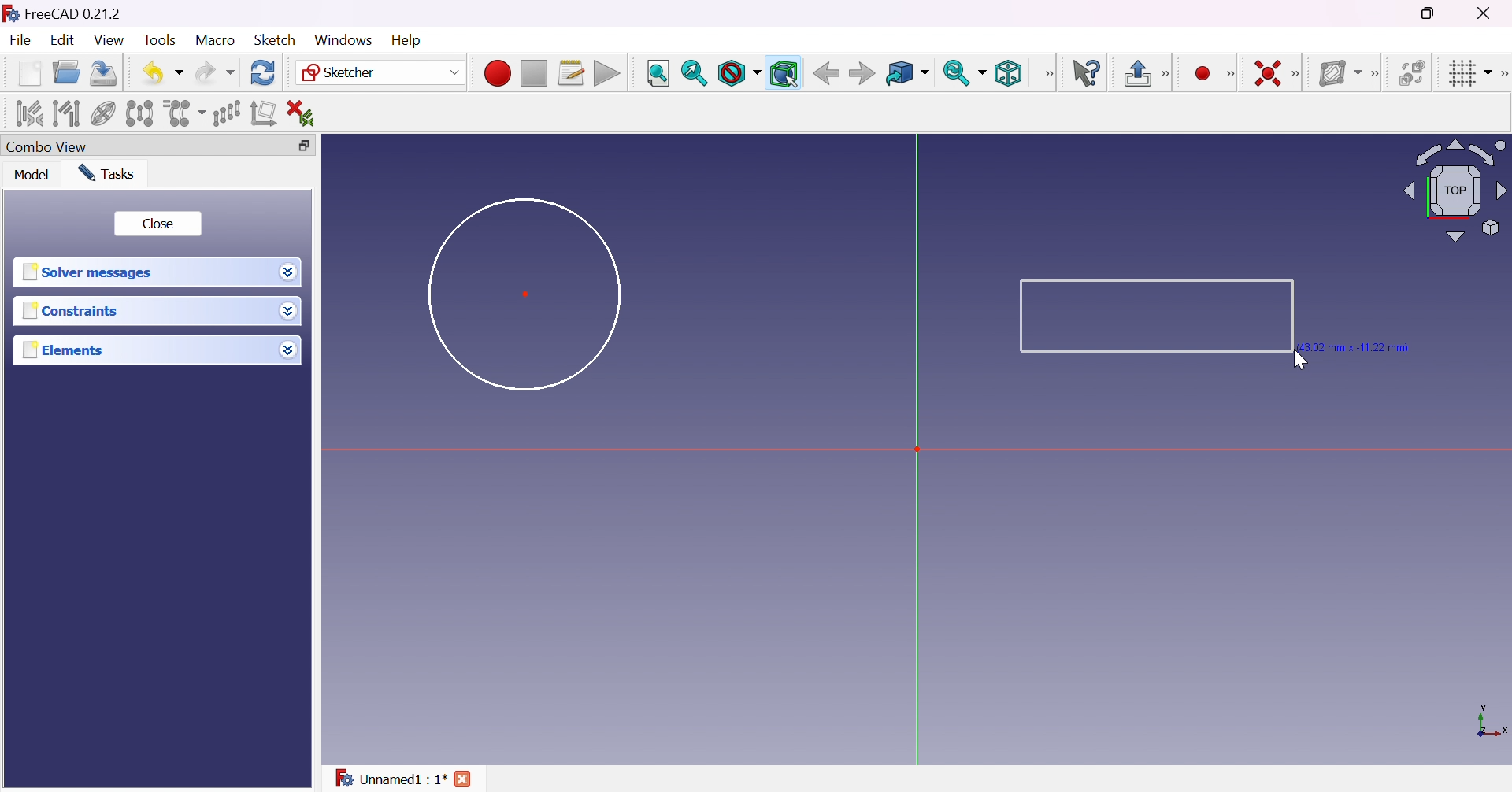 The height and width of the screenshot is (792, 1512). Describe the element at coordinates (1050, 73) in the screenshot. I see `View` at that location.